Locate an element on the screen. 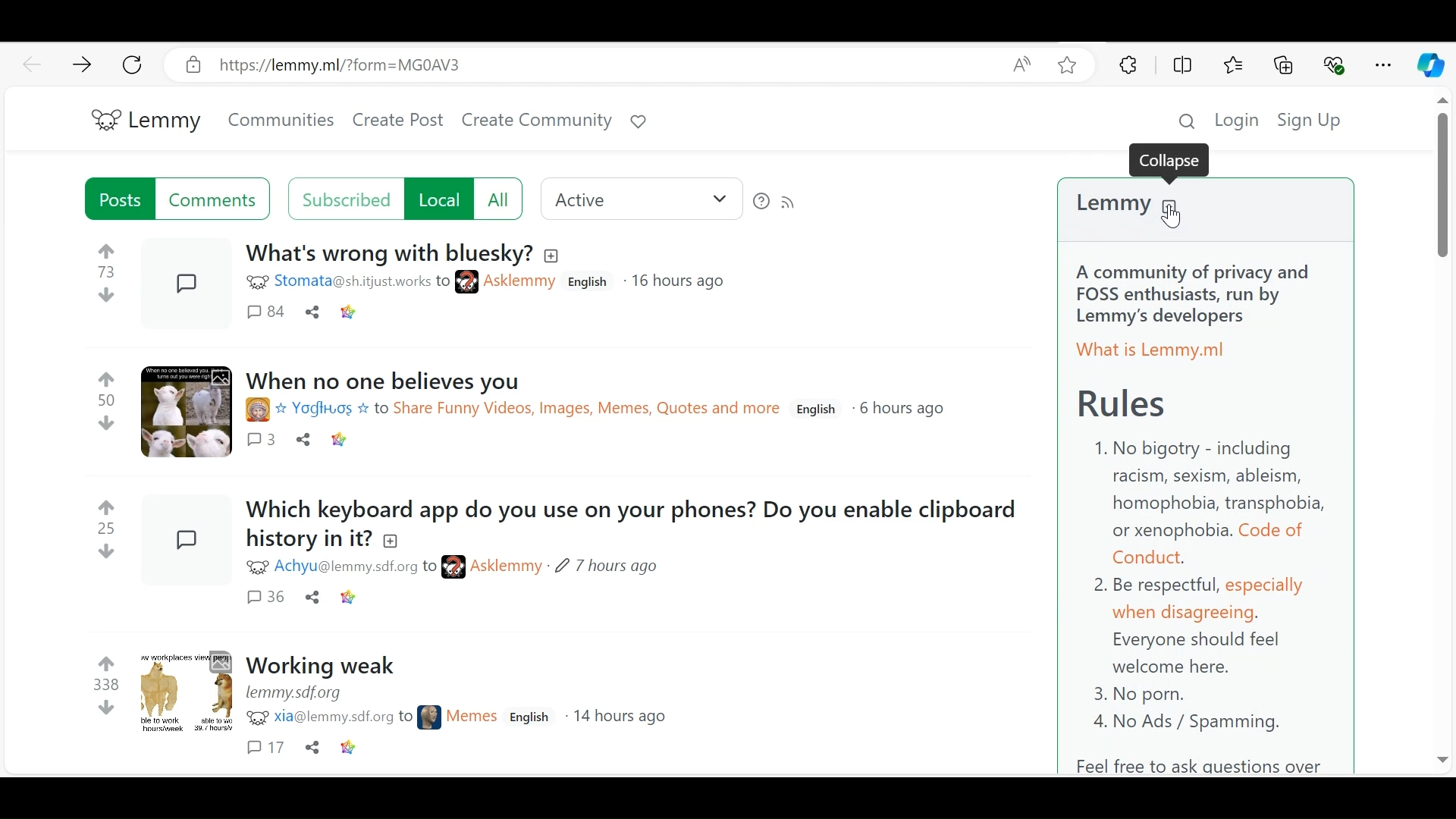  language is located at coordinates (589, 284).